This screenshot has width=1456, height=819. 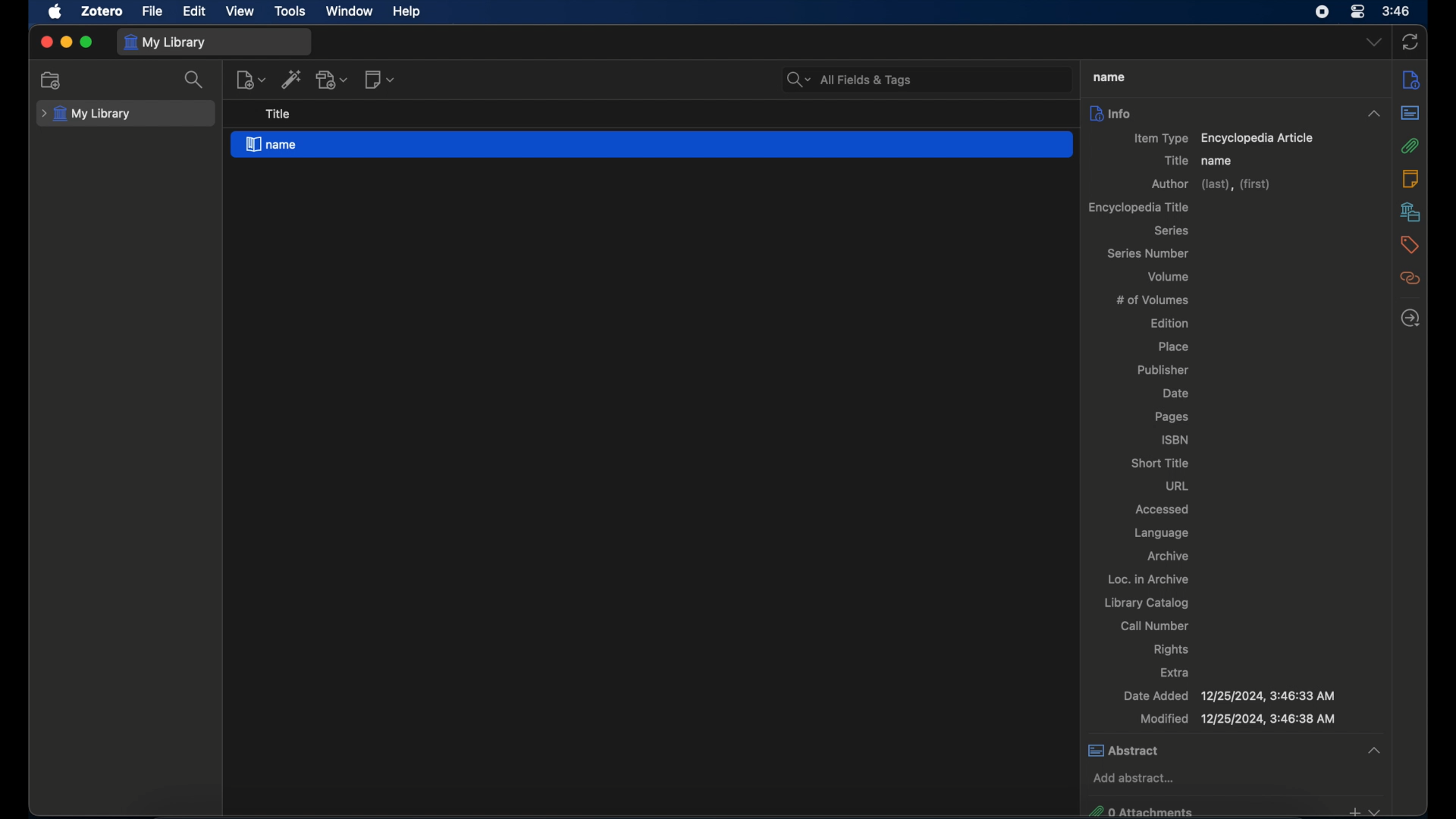 What do you see at coordinates (164, 43) in the screenshot?
I see `my library` at bounding box center [164, 43].